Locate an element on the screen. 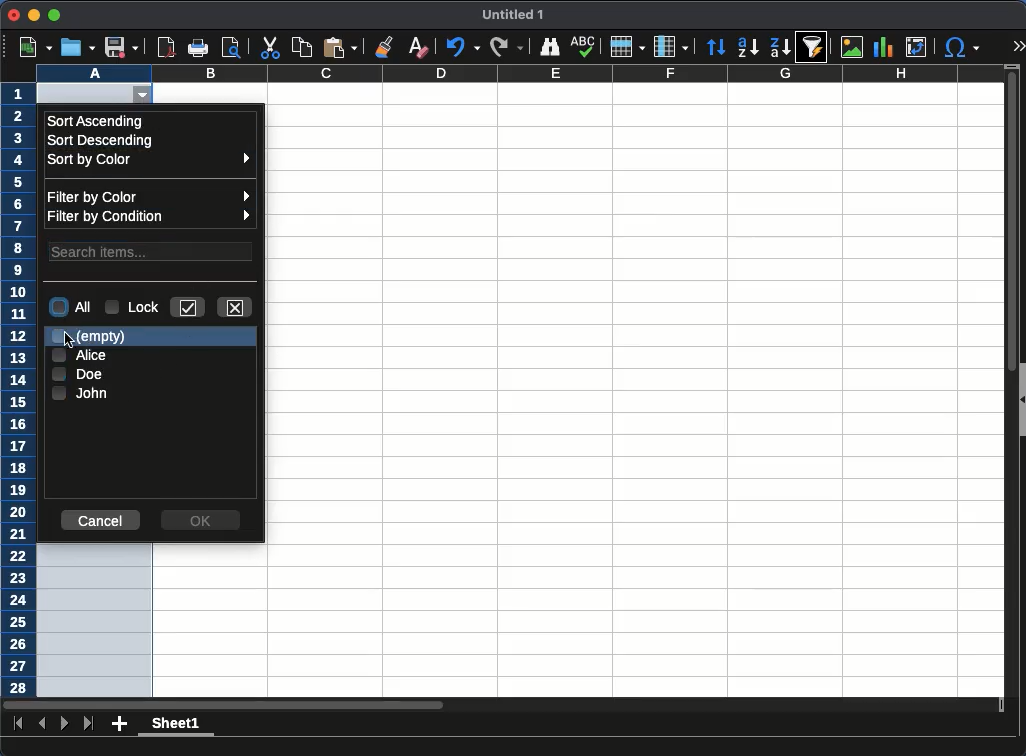  keep is located at coordinates (186, 307).